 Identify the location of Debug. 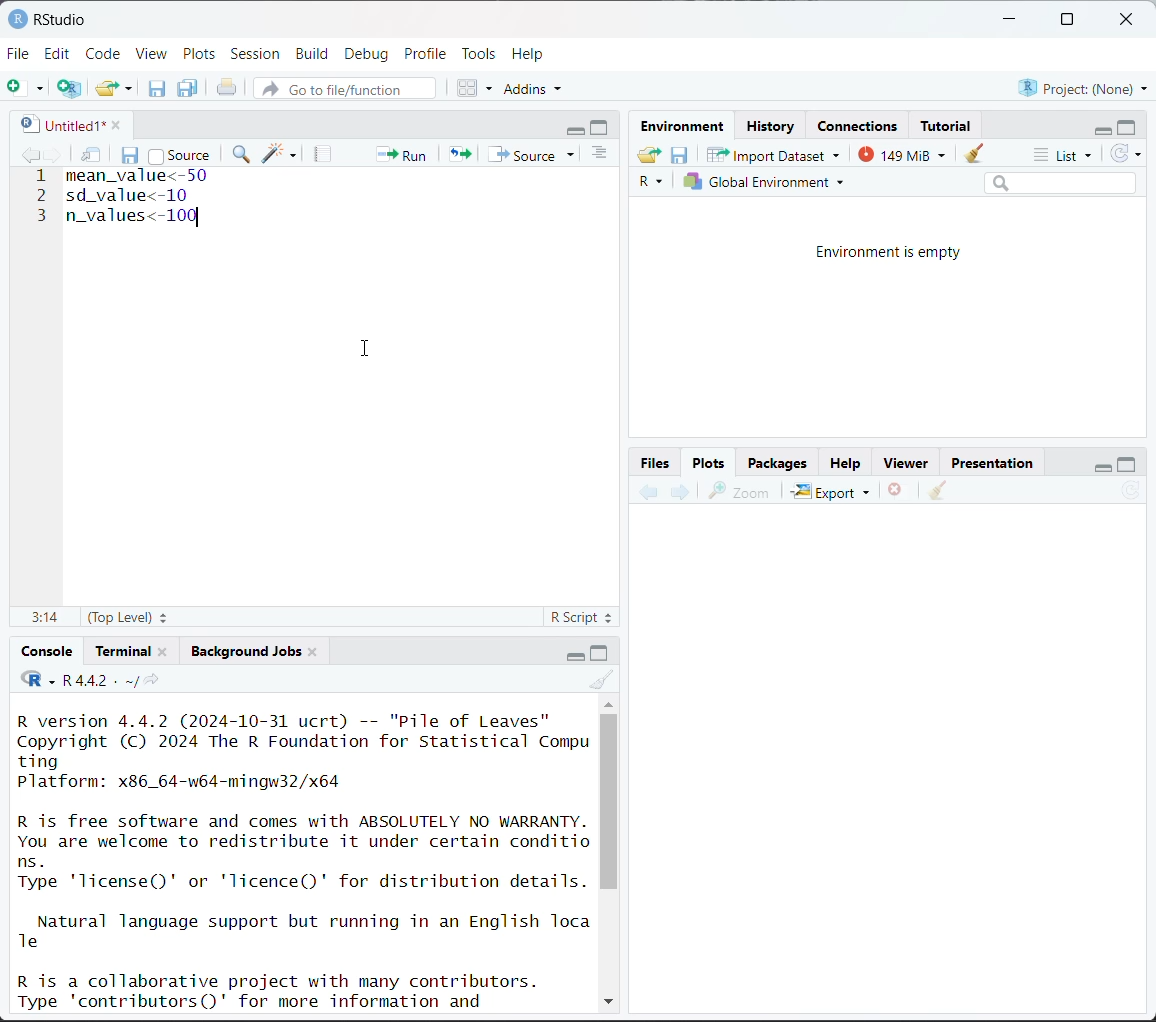
(366, 54).